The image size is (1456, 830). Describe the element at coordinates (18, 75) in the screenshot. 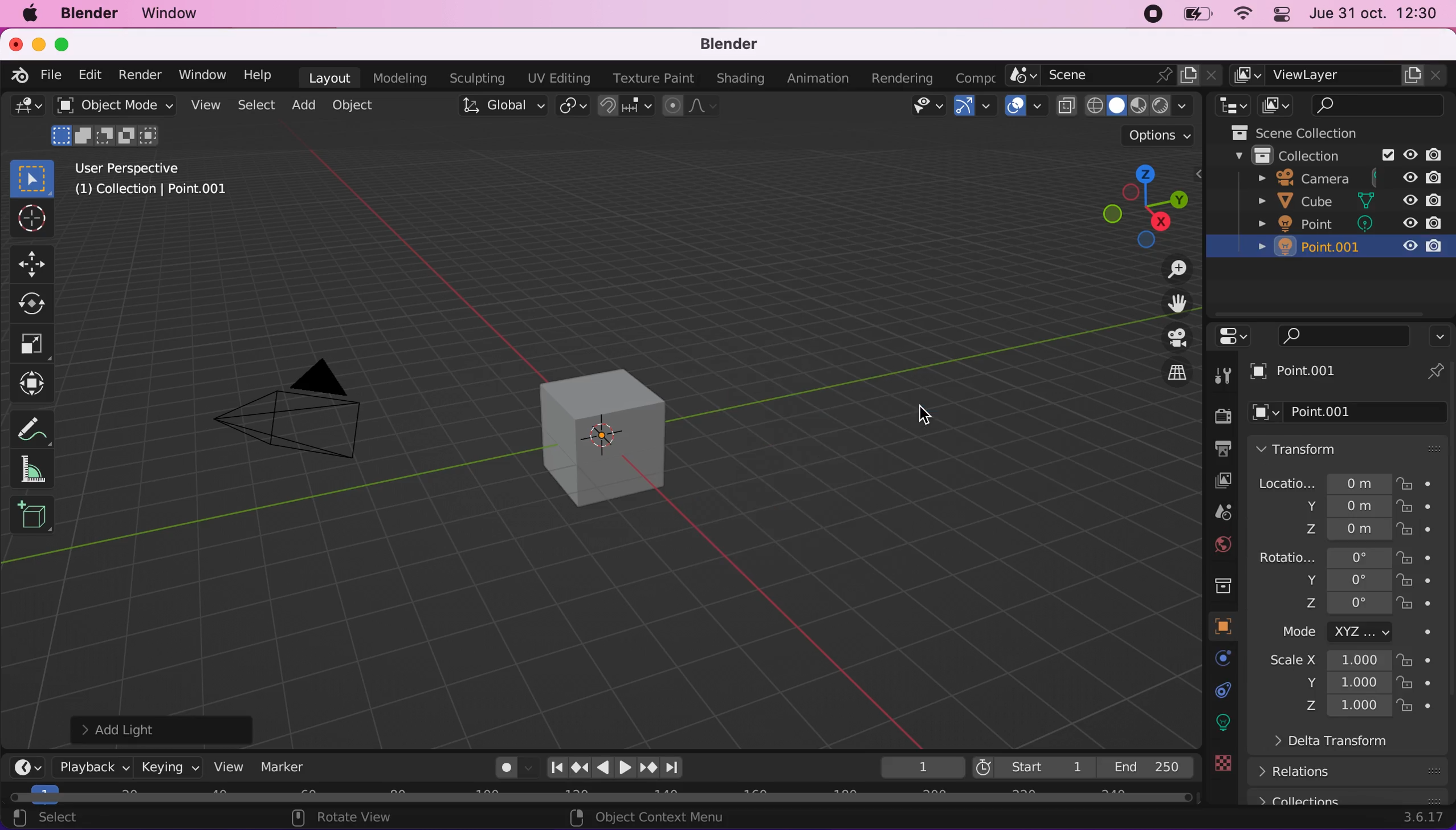

I see `blender logo` at that location.